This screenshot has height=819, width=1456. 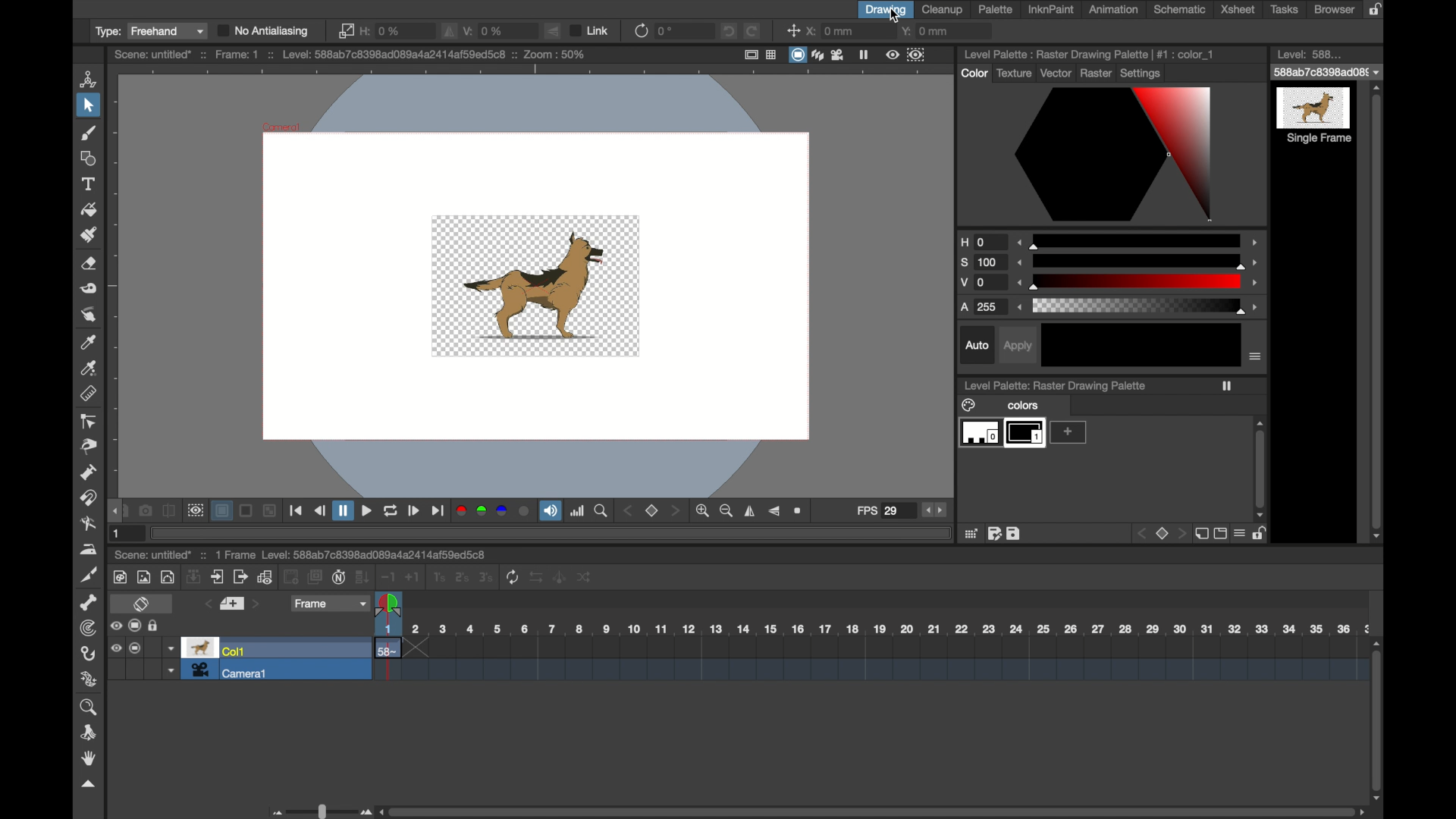 What do you see at coordinates (1378, 720) in the screenshot?
I see `scroll box` at bounding box center [1378, 720].